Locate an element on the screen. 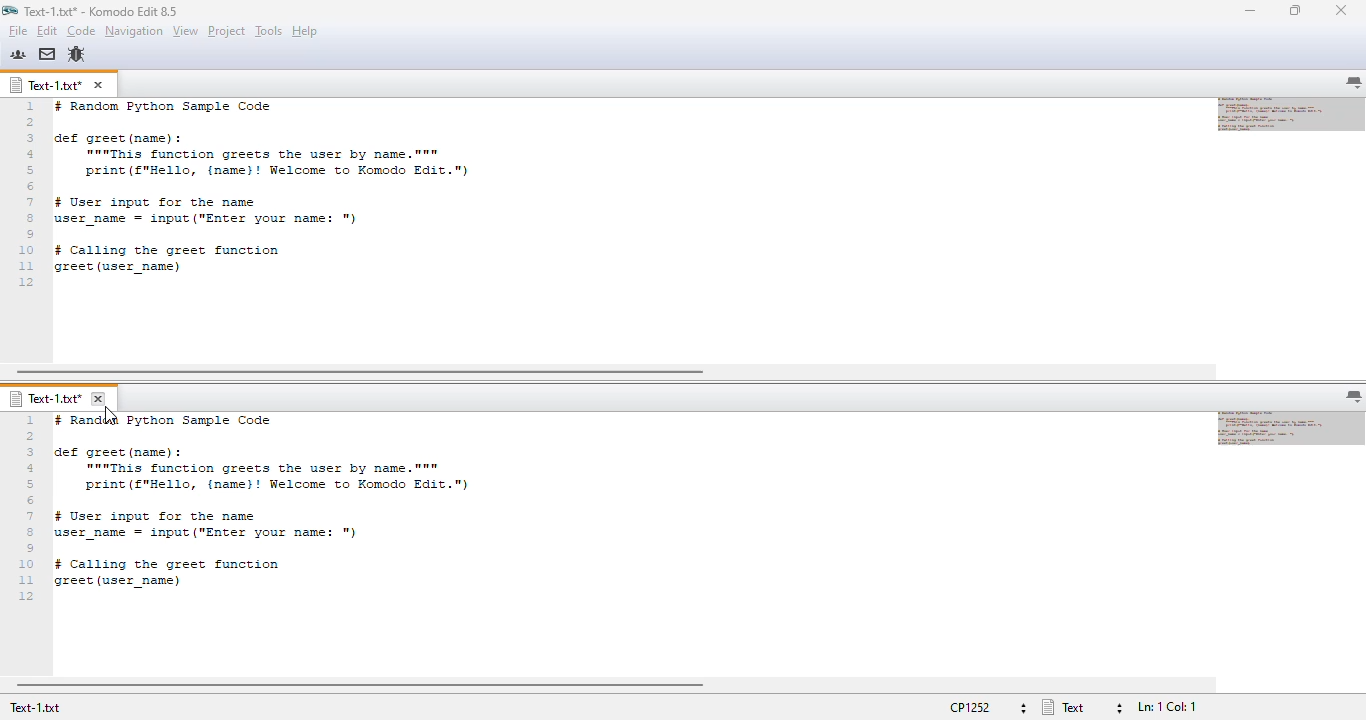 The width and height of the screenshot is (1366, 720). list all tabs is located at coordinates (1354, 82).